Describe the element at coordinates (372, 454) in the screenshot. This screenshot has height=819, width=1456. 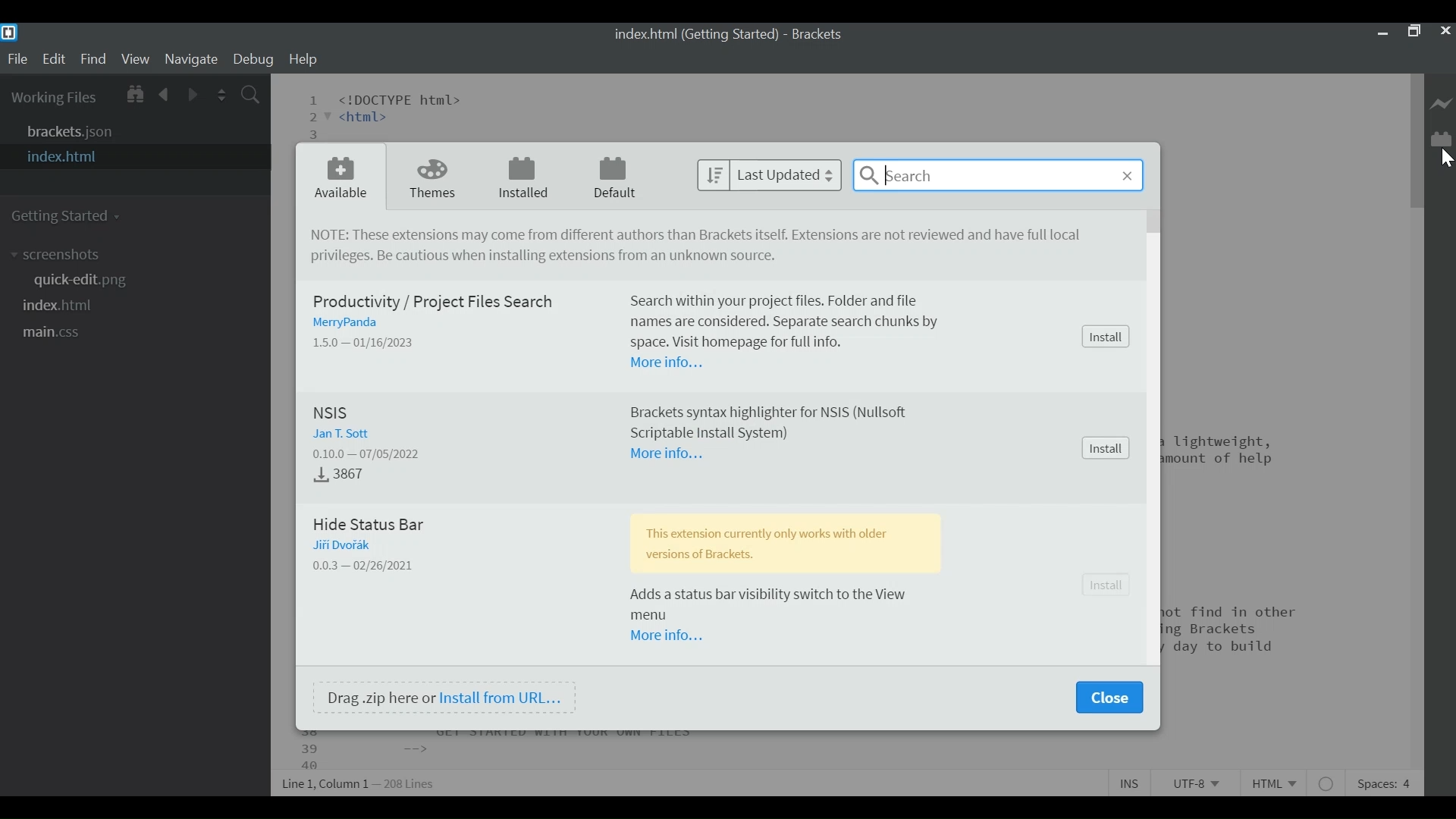
I see `Version - Release Dtae` at that location.